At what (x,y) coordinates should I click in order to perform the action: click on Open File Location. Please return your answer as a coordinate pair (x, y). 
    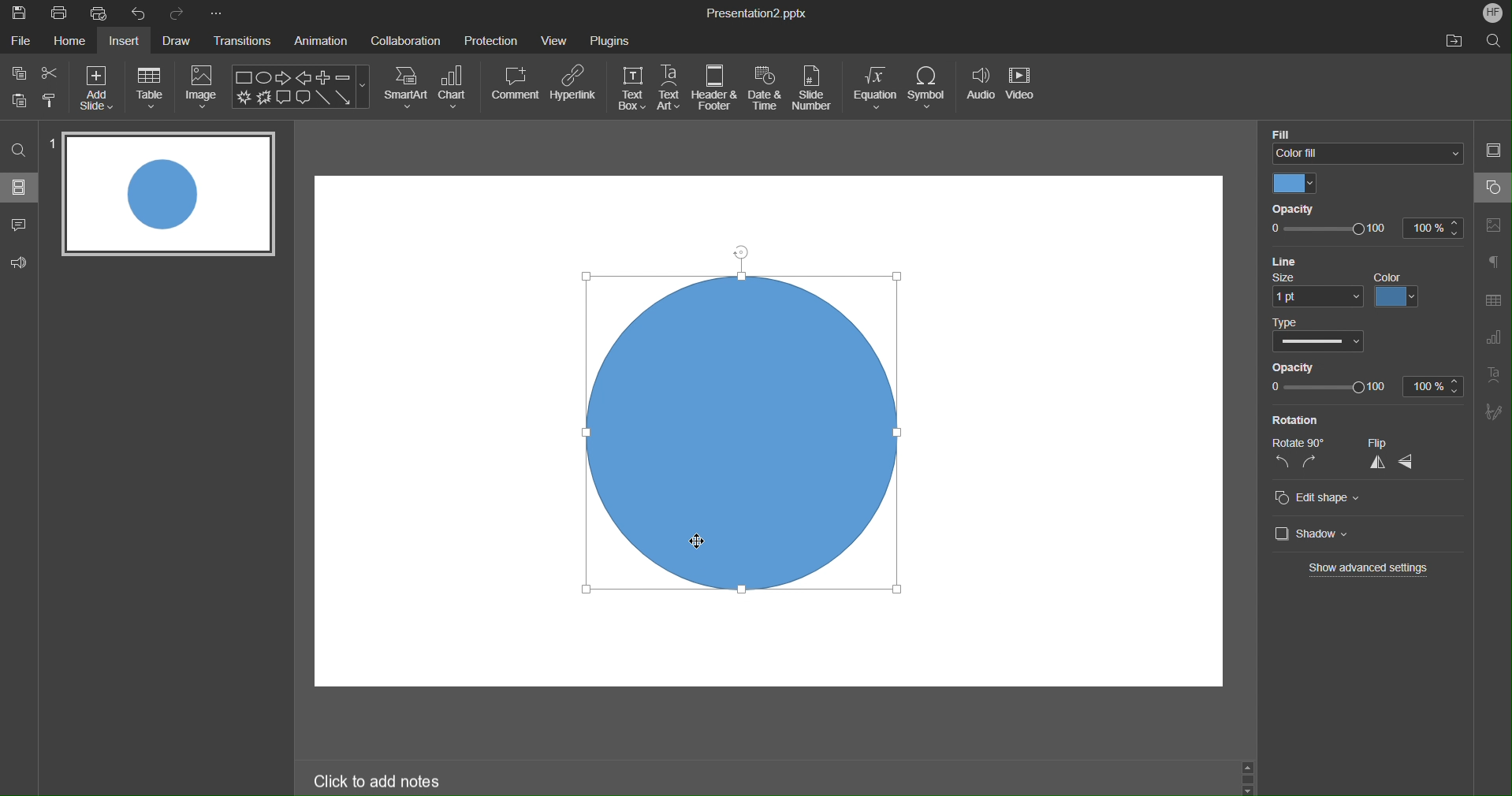
    Looking at the image, I should click on (1454, 42).